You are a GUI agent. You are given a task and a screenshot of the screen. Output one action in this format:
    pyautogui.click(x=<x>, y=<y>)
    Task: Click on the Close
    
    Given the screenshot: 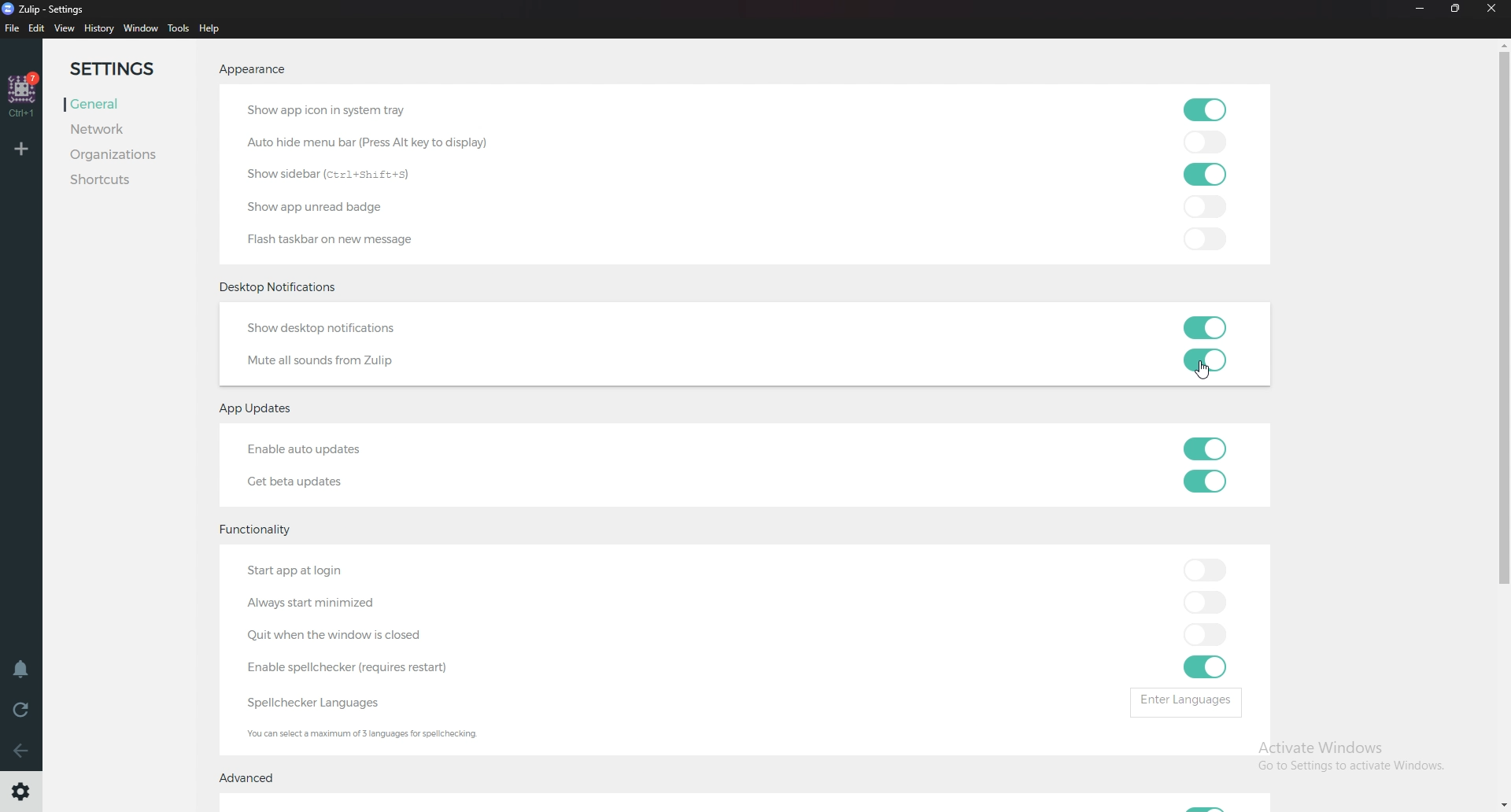 What is the action you would take?
    pyautogui.click(x=1492, y=10)
    